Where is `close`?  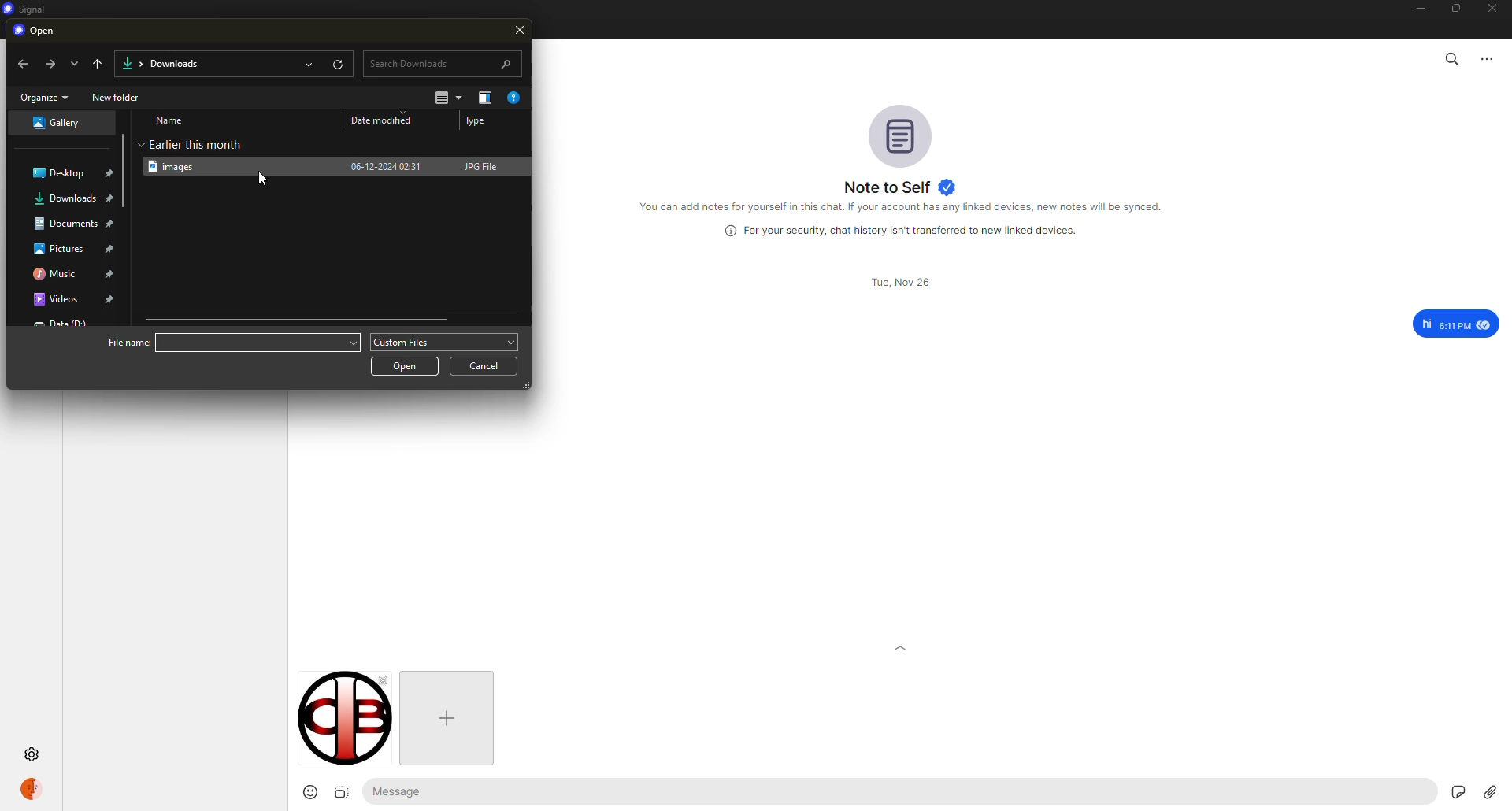 close is located at coordinates (381, 680).